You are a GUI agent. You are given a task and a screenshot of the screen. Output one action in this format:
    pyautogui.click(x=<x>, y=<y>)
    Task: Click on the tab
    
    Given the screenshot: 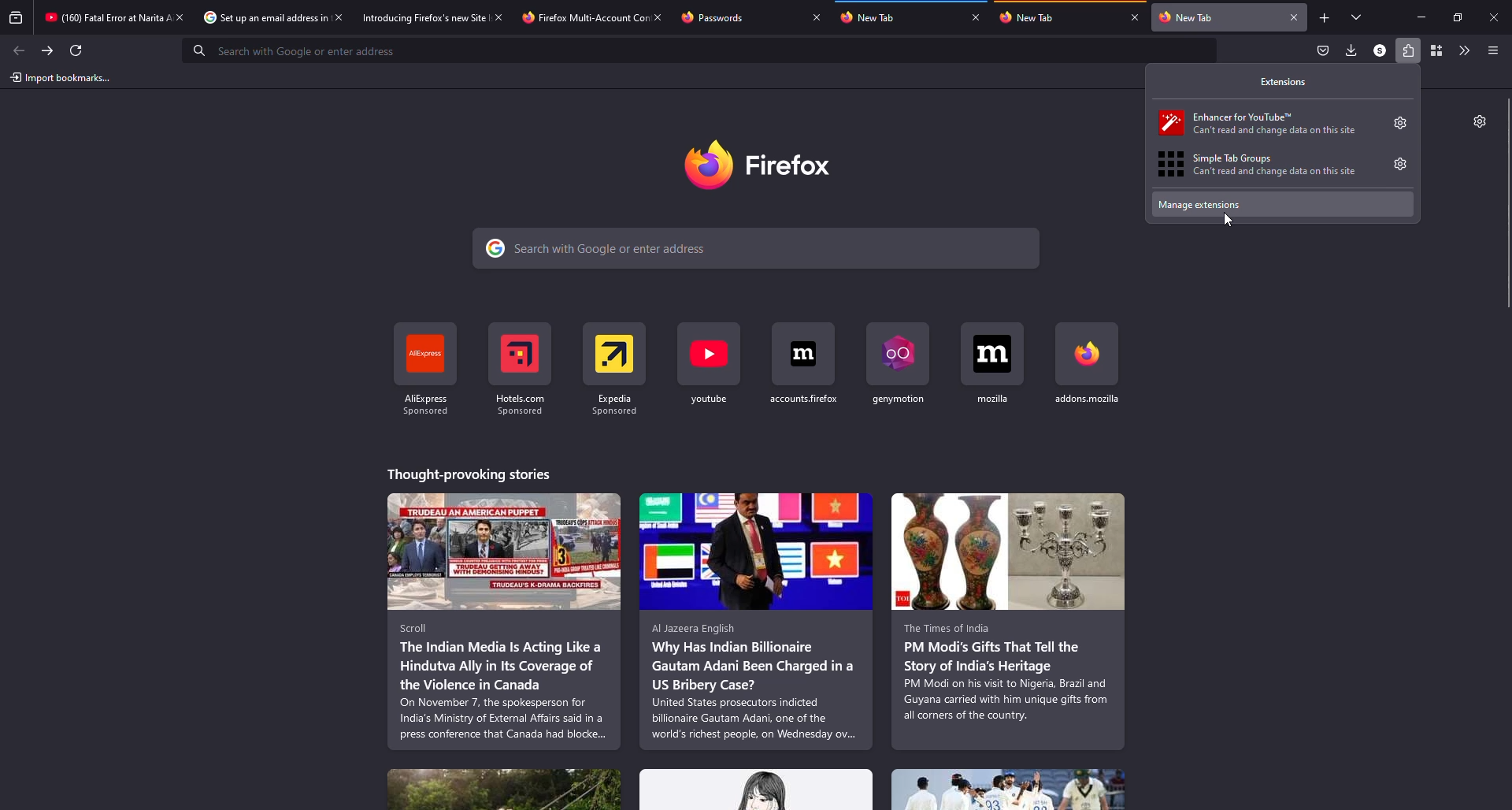 What is the action you would take?
    pyautogui.click(x=873, y=18)
    